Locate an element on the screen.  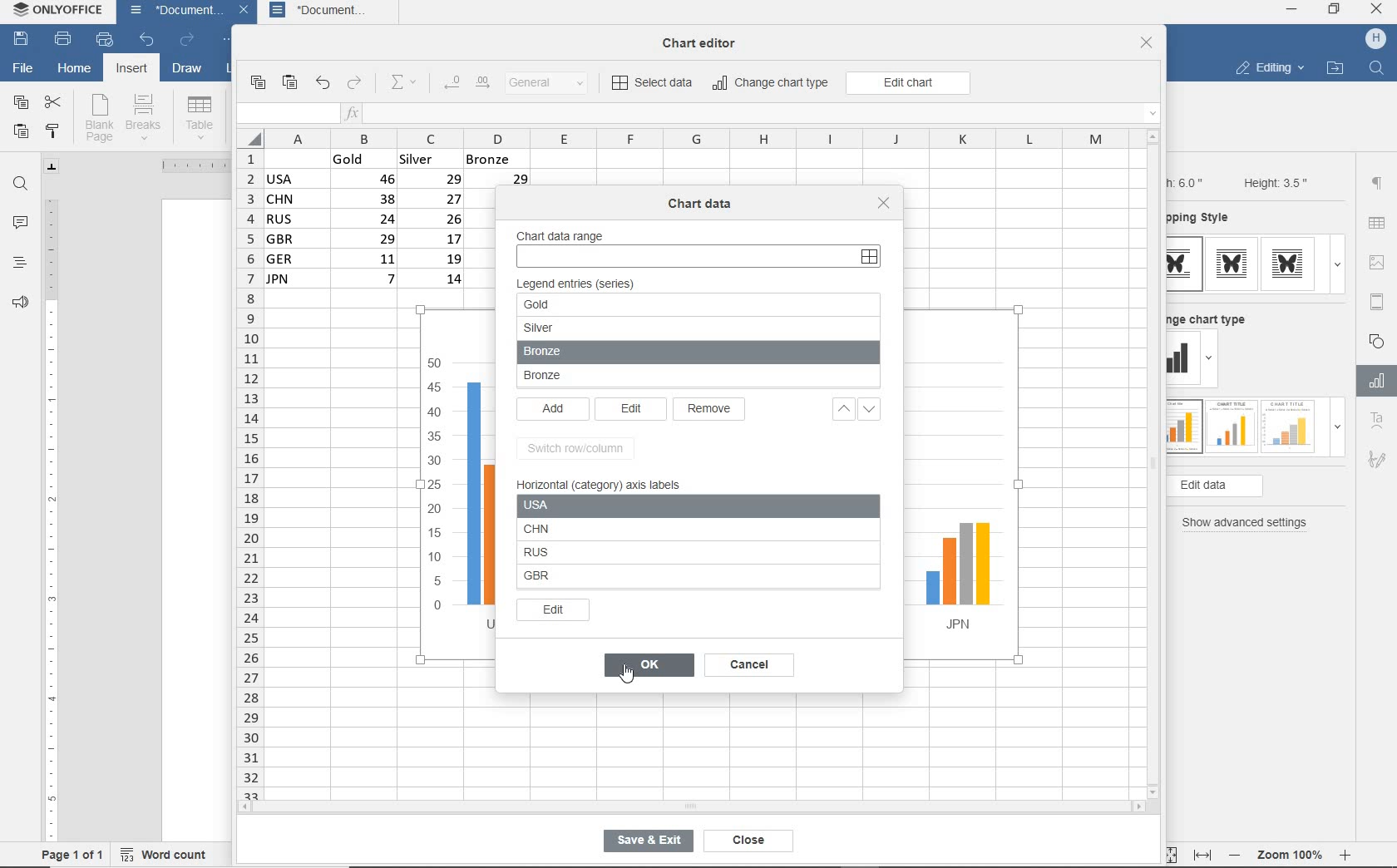
tab stop is located at coordinates (52, 166).